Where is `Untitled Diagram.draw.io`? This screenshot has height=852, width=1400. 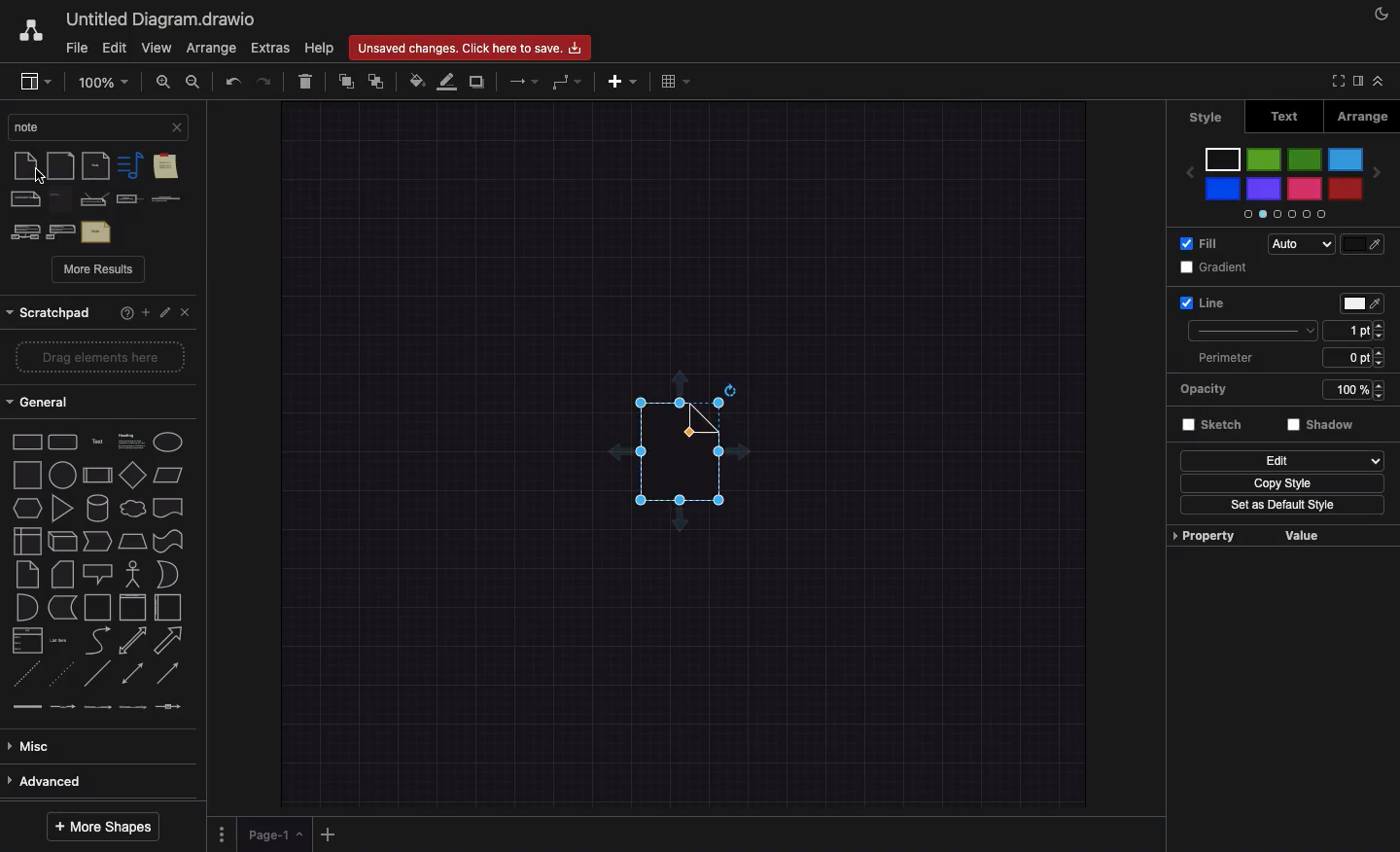 Untitled Diagram.draw.io is located at coordinates (163, 18).